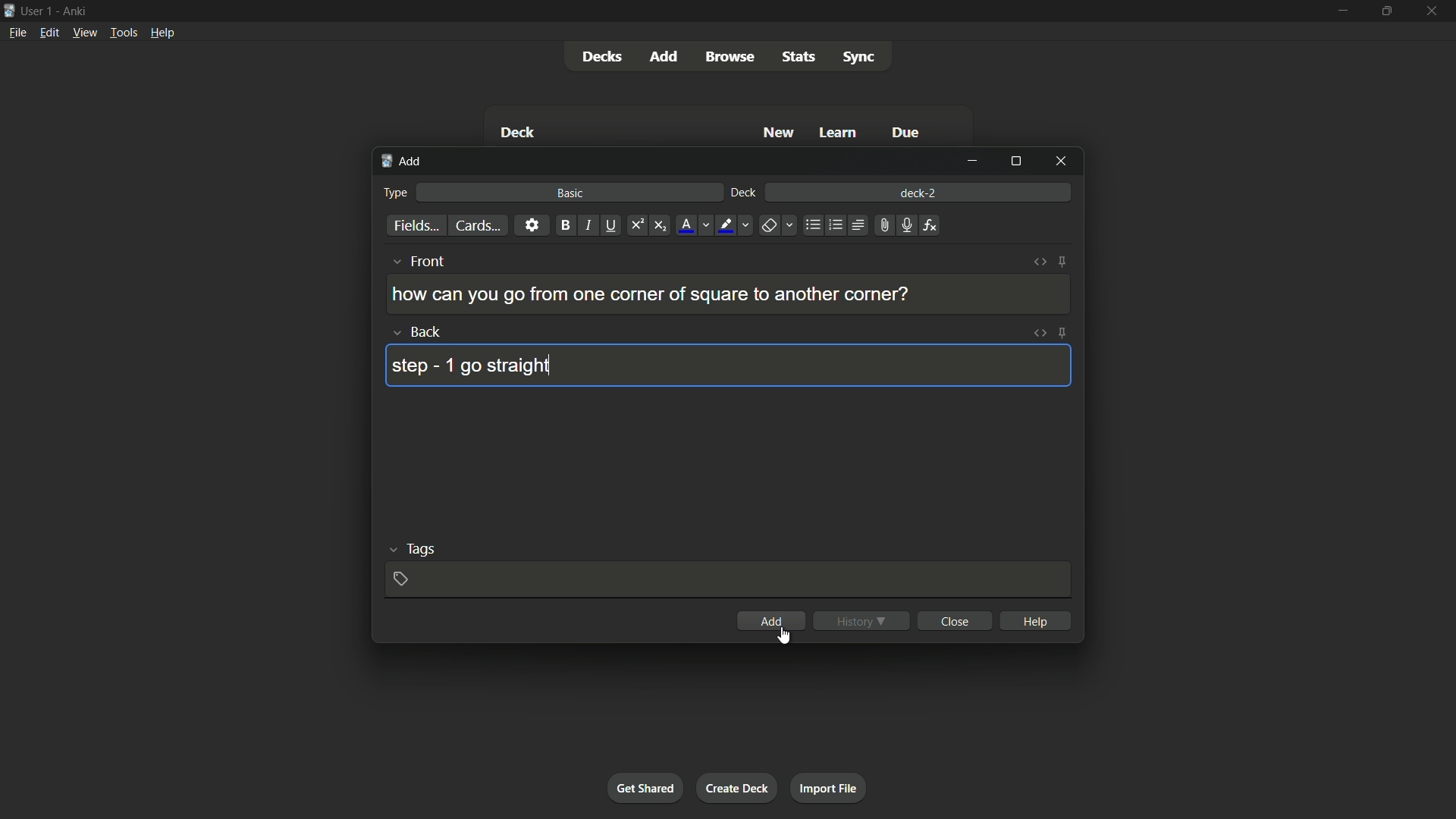 This screenshot has height=819, width=1456. What do you see at coordinates (403, 163) in the screenshot?
I see `add` at bounding box center [403, 163].